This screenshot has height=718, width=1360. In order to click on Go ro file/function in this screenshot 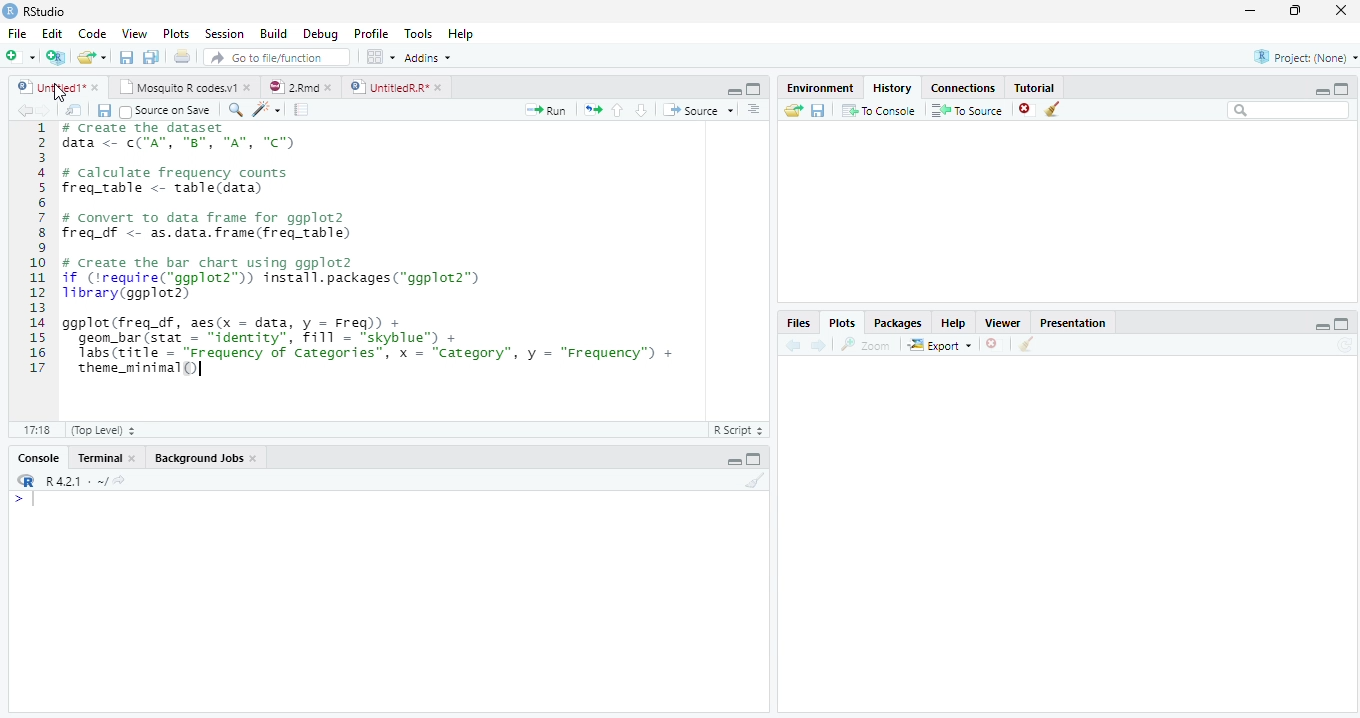, I will do `click(275, 58)`.